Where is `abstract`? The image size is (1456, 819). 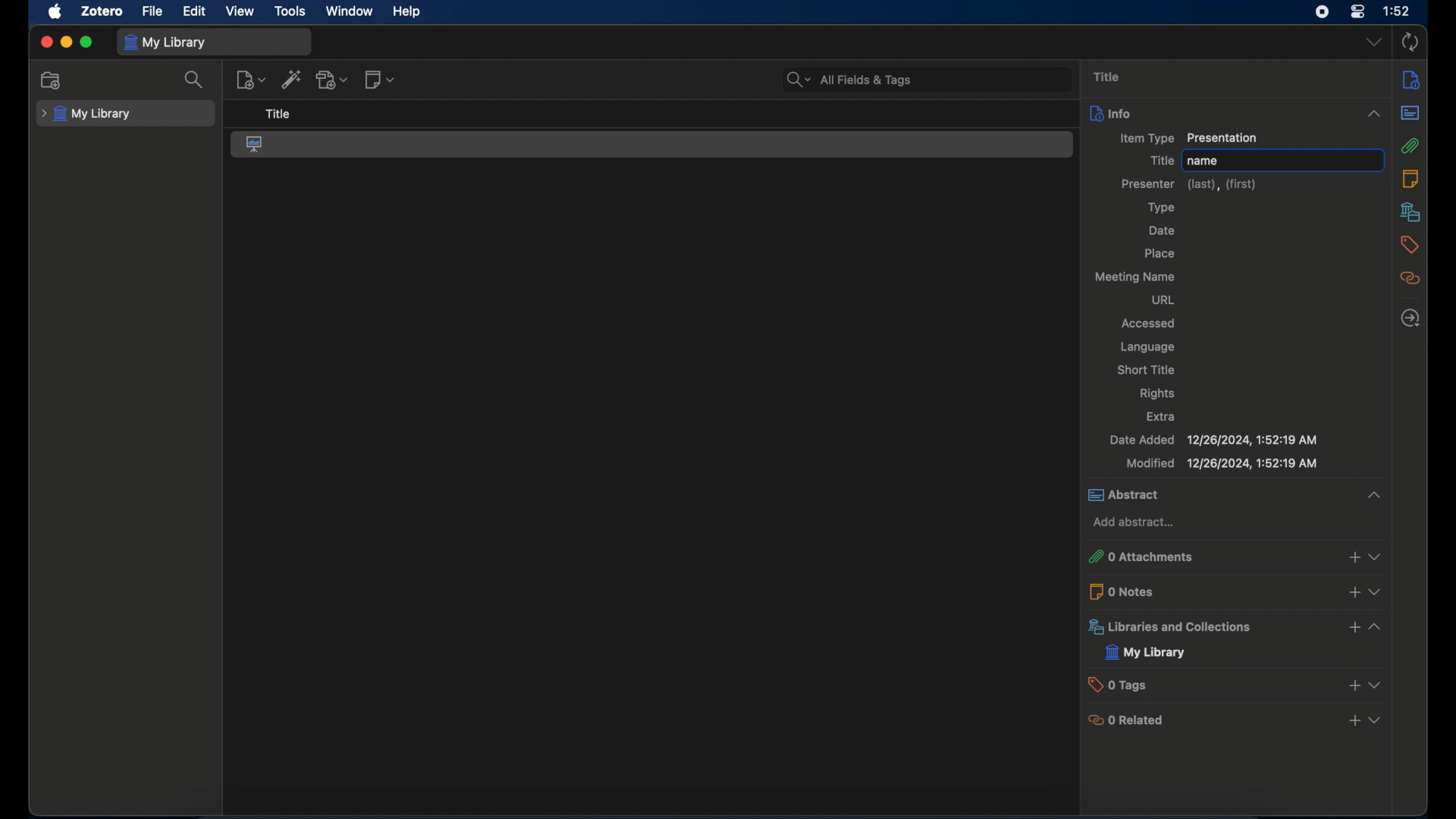
abstract is located at coordinates (1238, 495).